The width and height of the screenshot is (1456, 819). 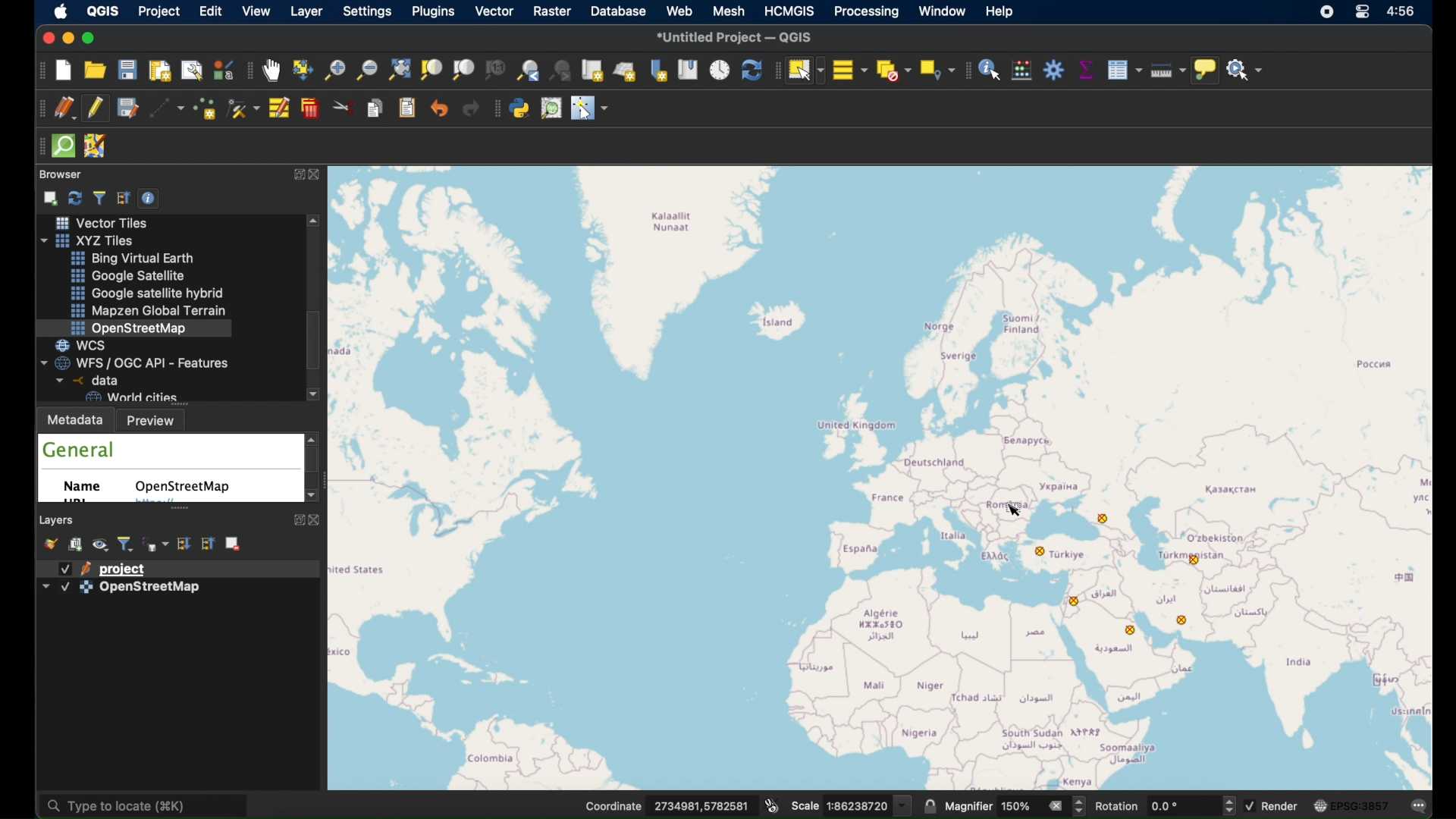 What do you see at coordinates (76, 419) in the screenshot?
I see `metadata` at bounding box center [76, 419].